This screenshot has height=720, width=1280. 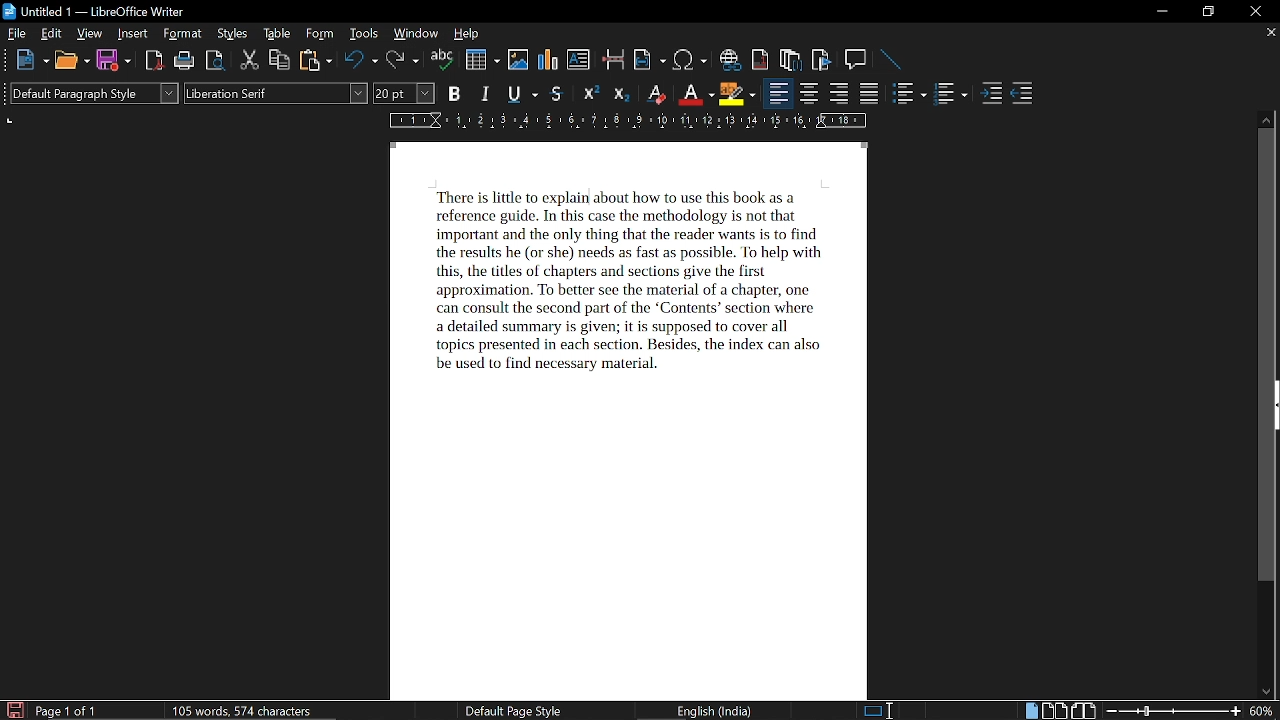 I want to click on justified, so click(x=871, y=95).